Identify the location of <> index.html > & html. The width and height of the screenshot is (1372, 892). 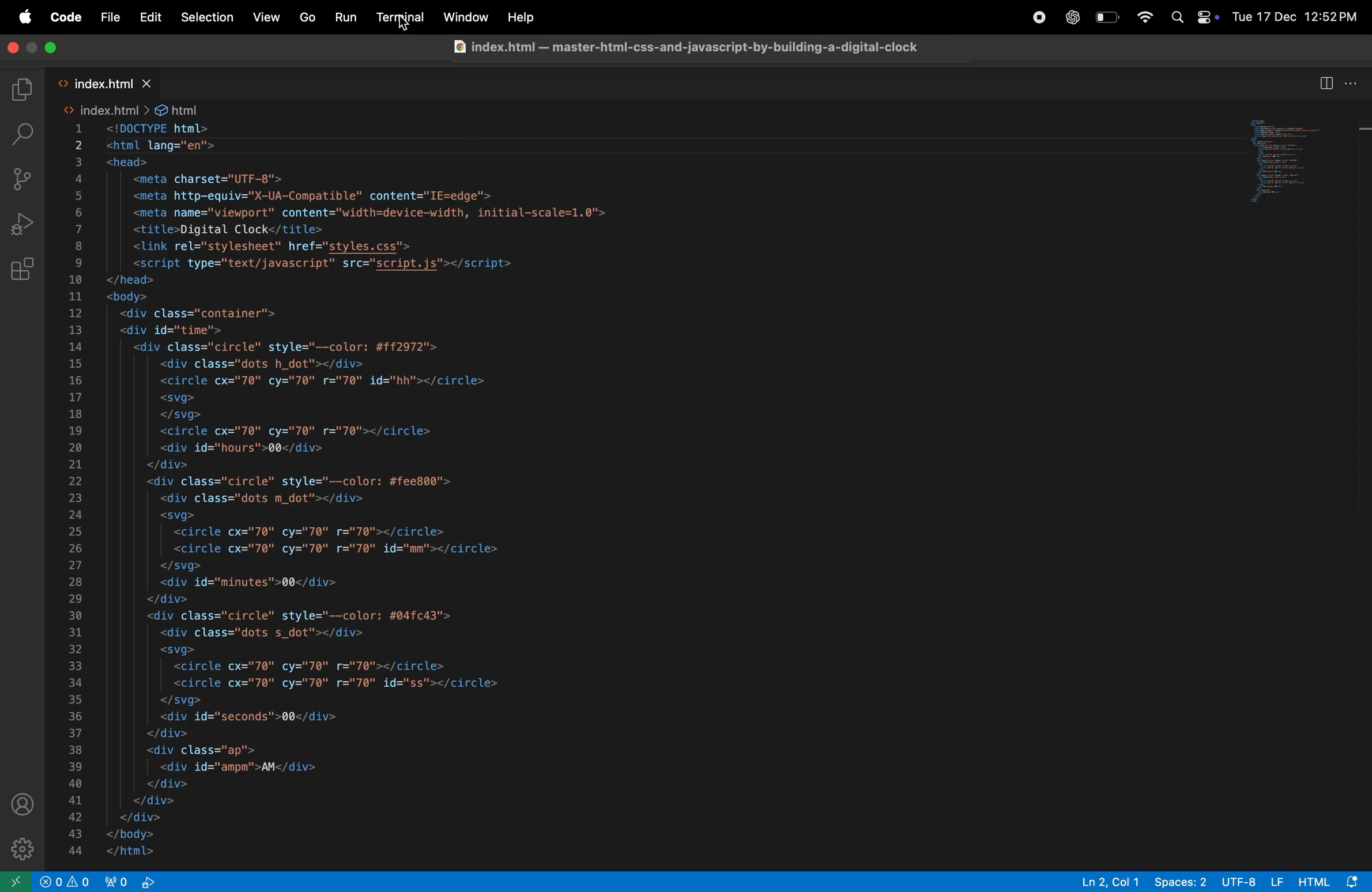
(129, 110).